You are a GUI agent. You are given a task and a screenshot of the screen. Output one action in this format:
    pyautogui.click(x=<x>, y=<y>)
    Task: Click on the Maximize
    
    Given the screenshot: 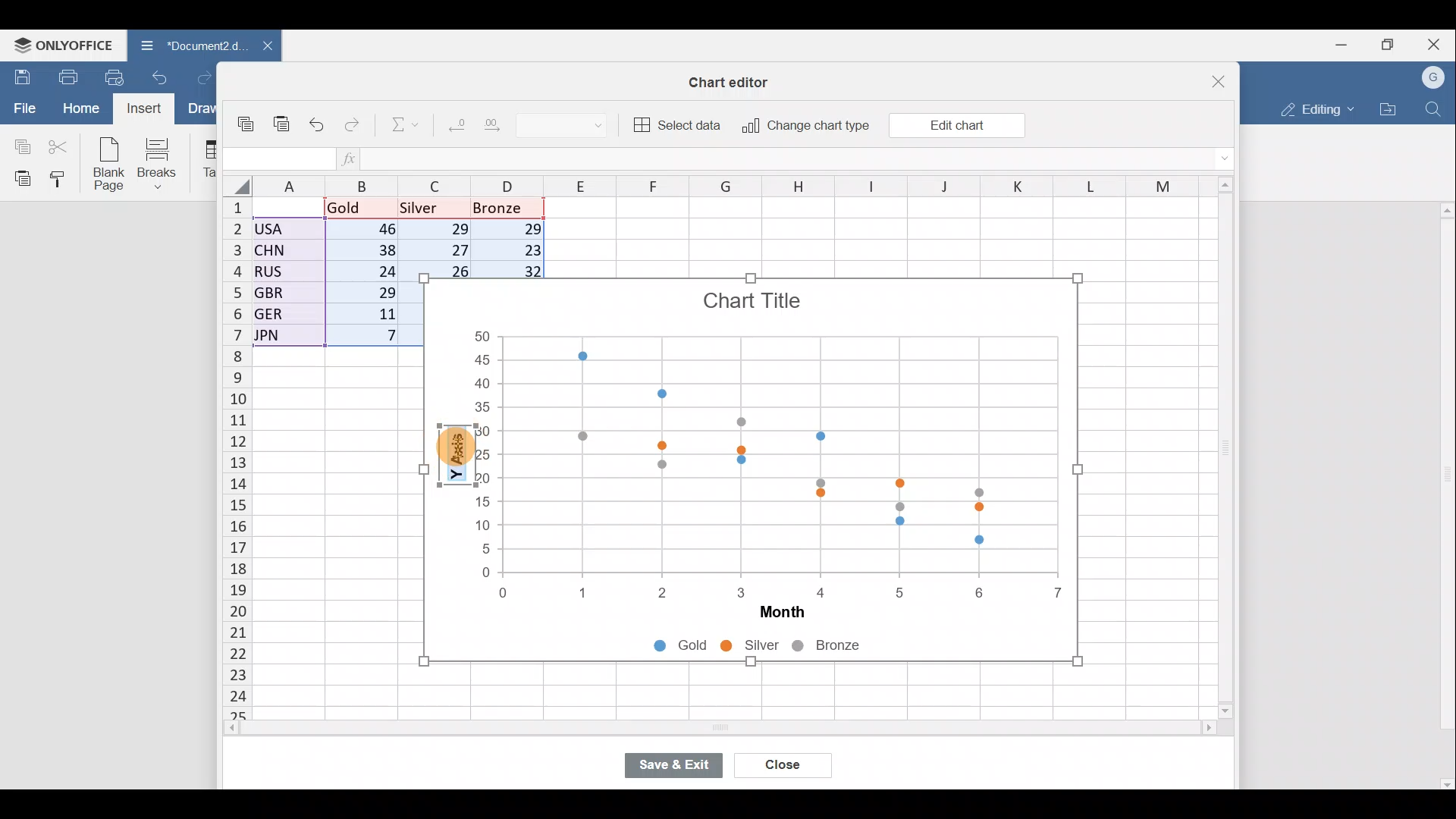 What is the action you would take?
    pyautogui.click(x=1389, y=45)
    